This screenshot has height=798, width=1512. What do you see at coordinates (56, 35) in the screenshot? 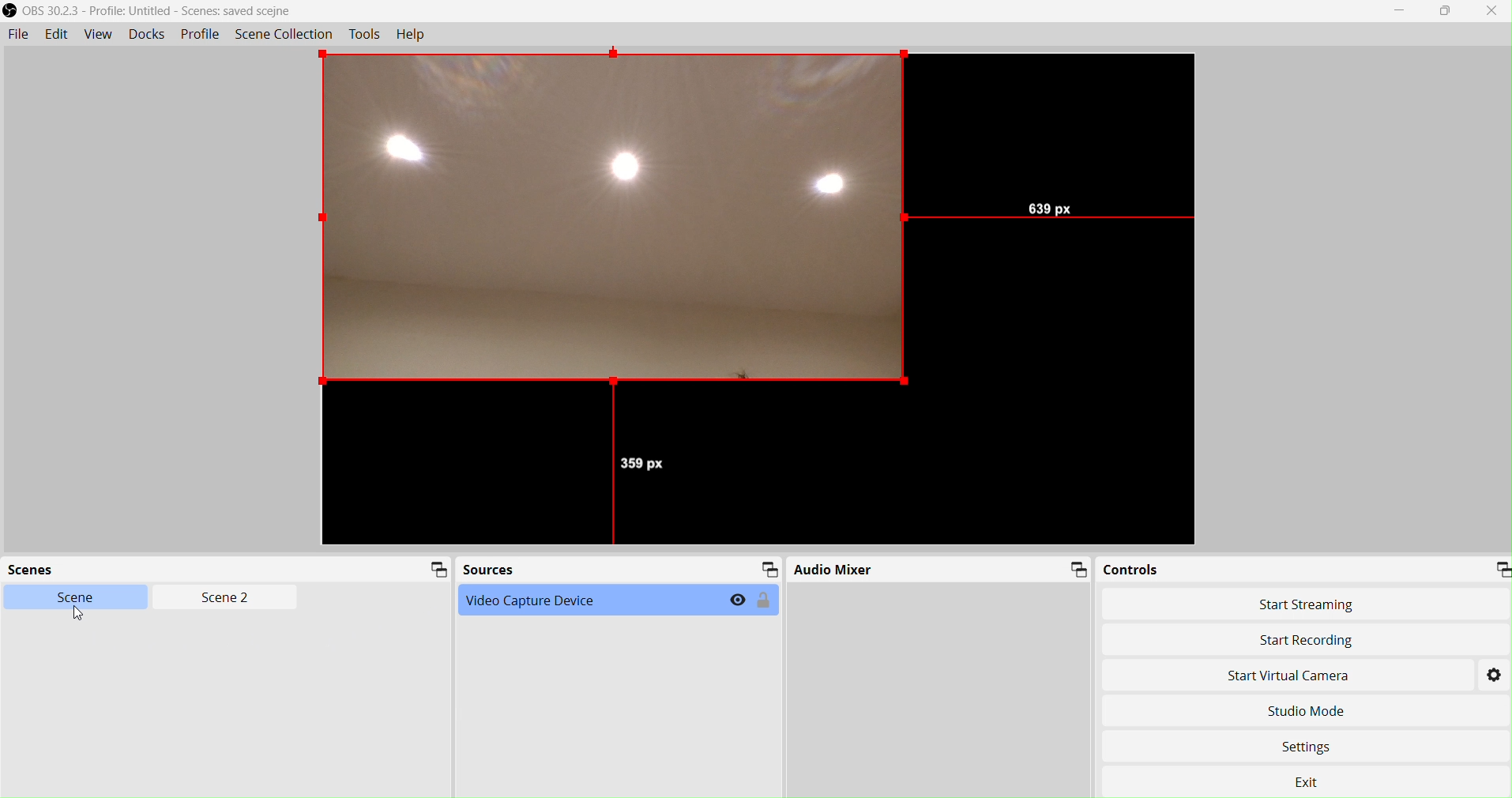
I see `Edit` at bounding box center [56, 35].